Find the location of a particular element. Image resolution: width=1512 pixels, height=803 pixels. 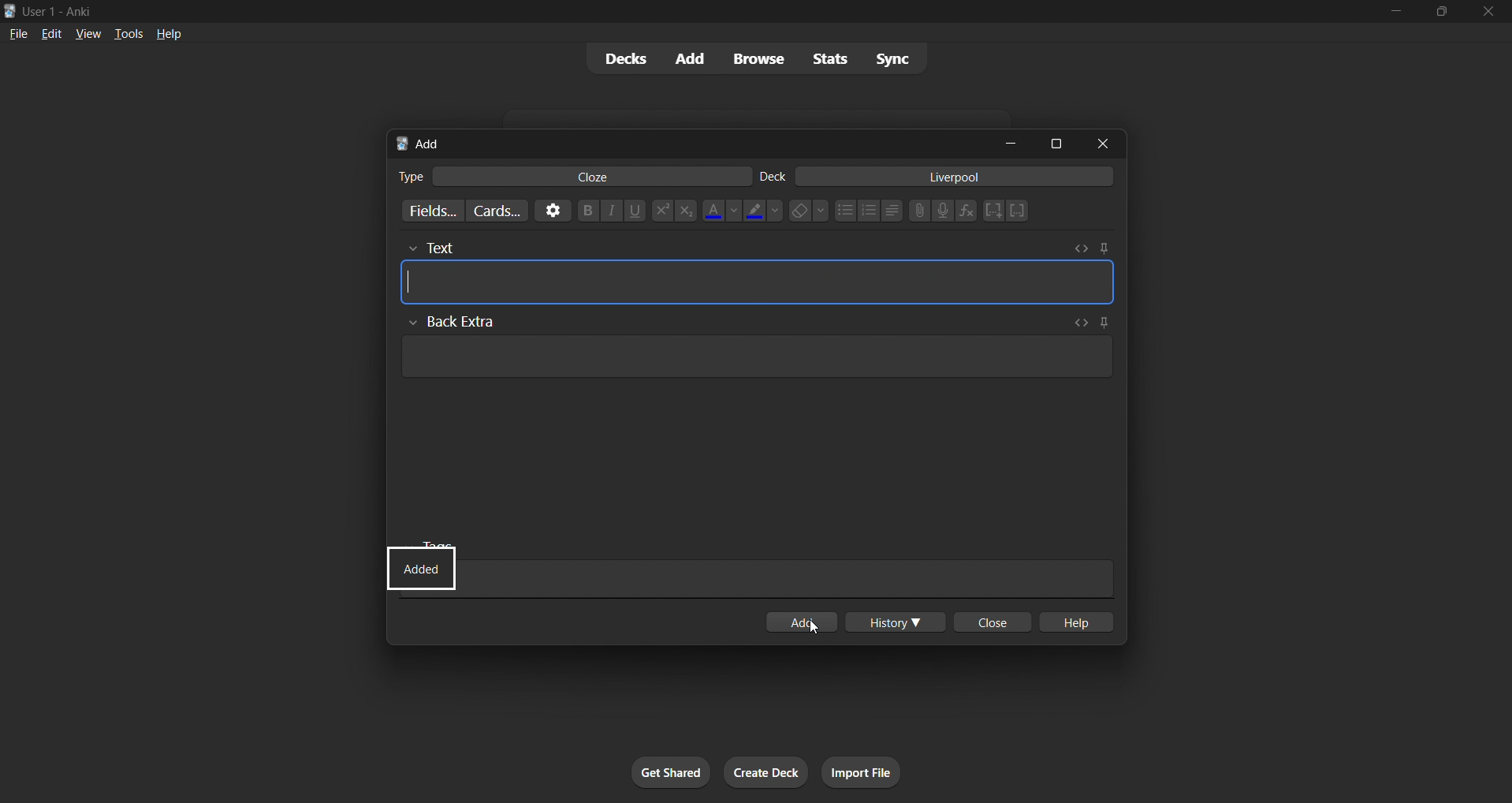

decks is located at coordinates (623, 58).